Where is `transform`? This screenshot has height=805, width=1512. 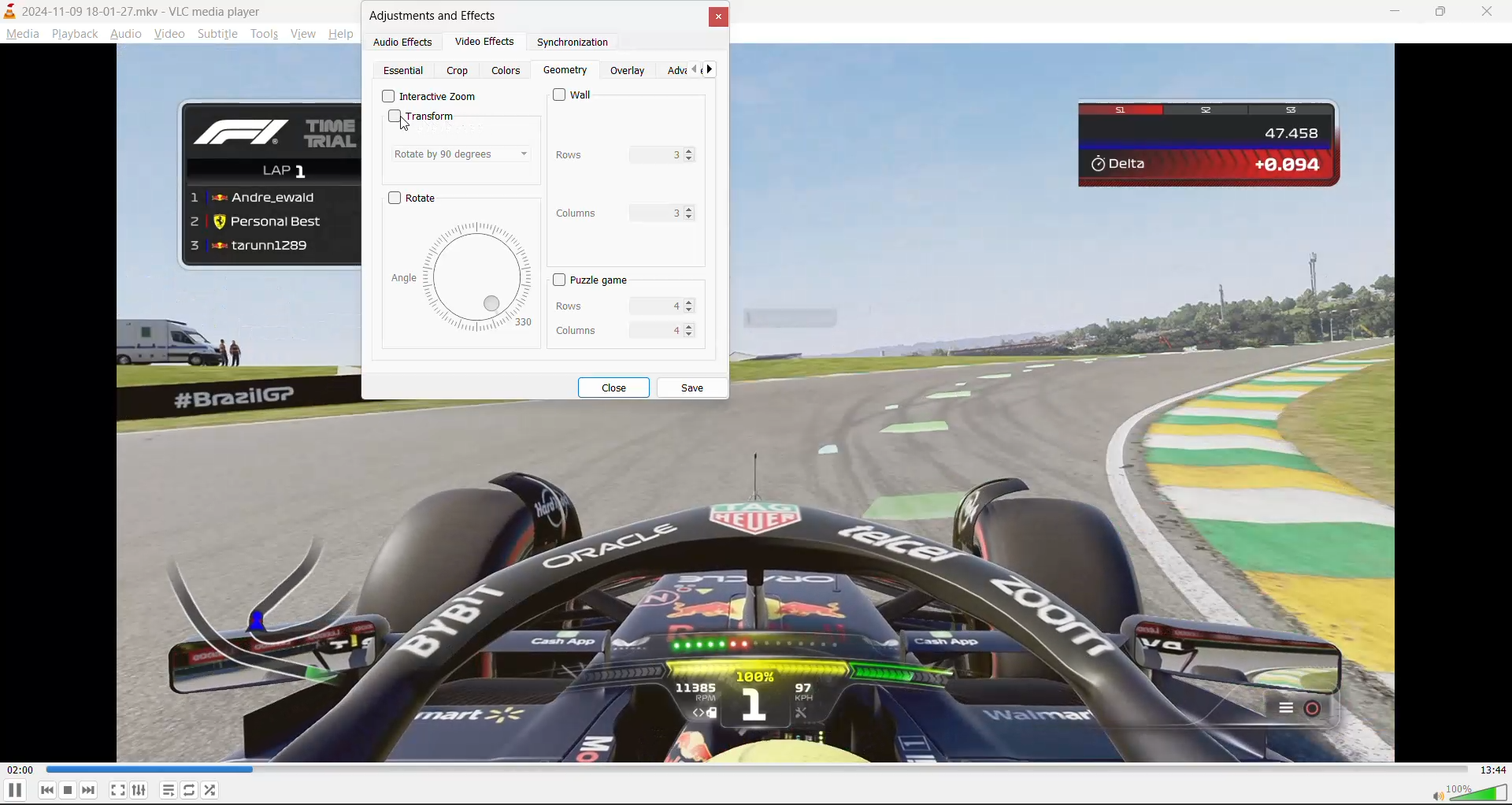 transform is located at coordinates (428, 116).